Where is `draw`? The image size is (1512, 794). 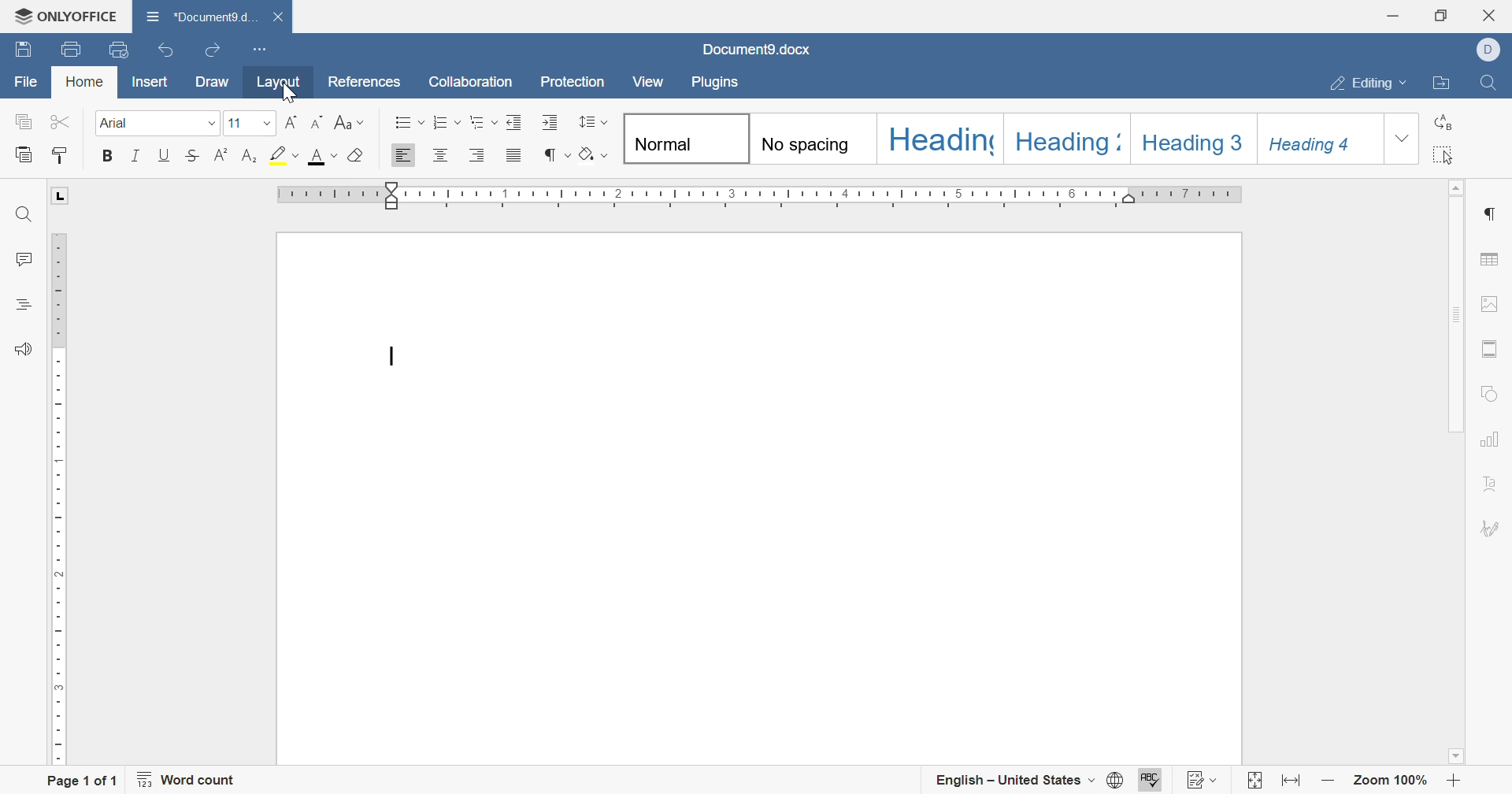
draw is located at coordinates (213, 82).